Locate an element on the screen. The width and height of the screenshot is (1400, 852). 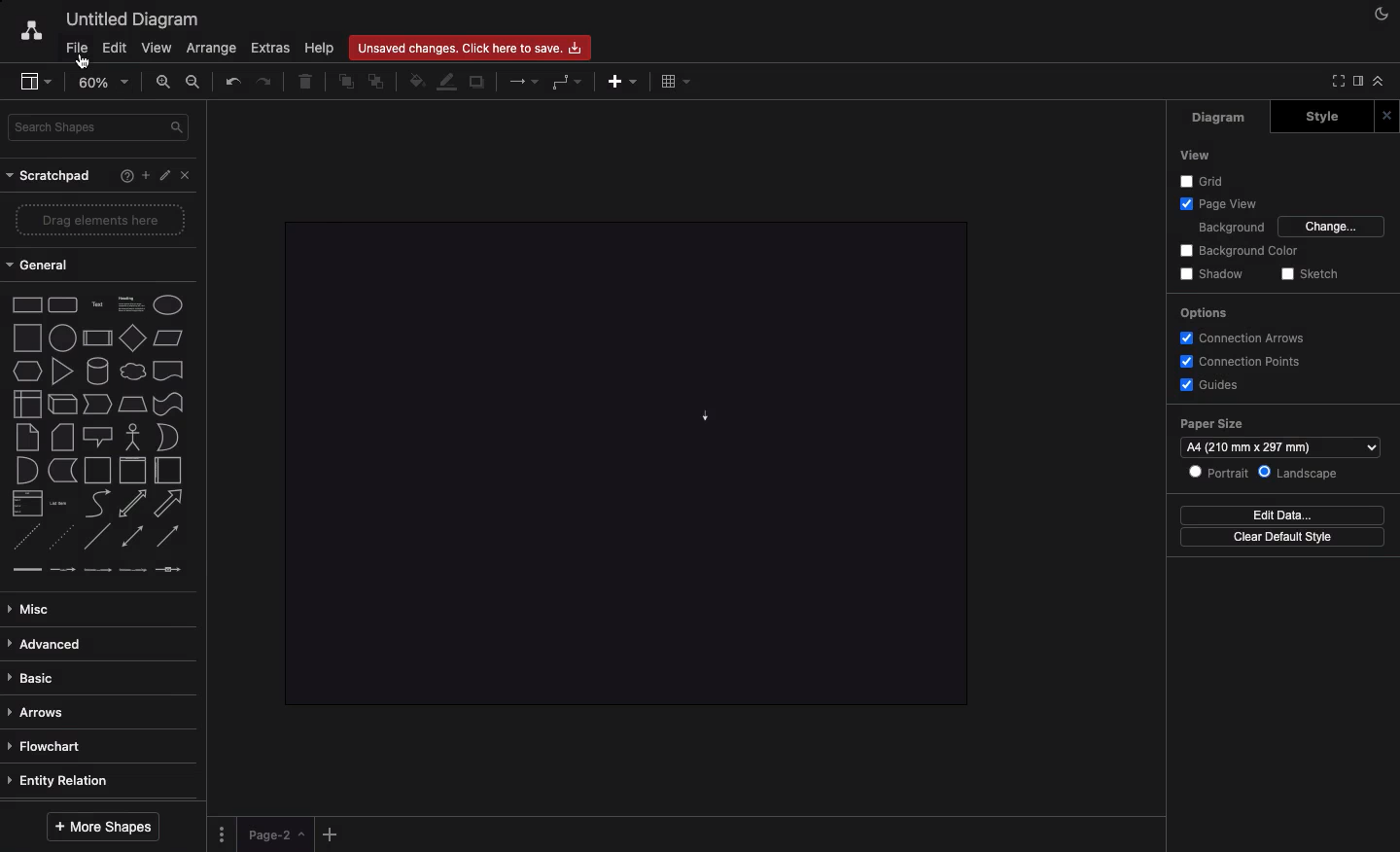
View is located at coordinates (157, 47).